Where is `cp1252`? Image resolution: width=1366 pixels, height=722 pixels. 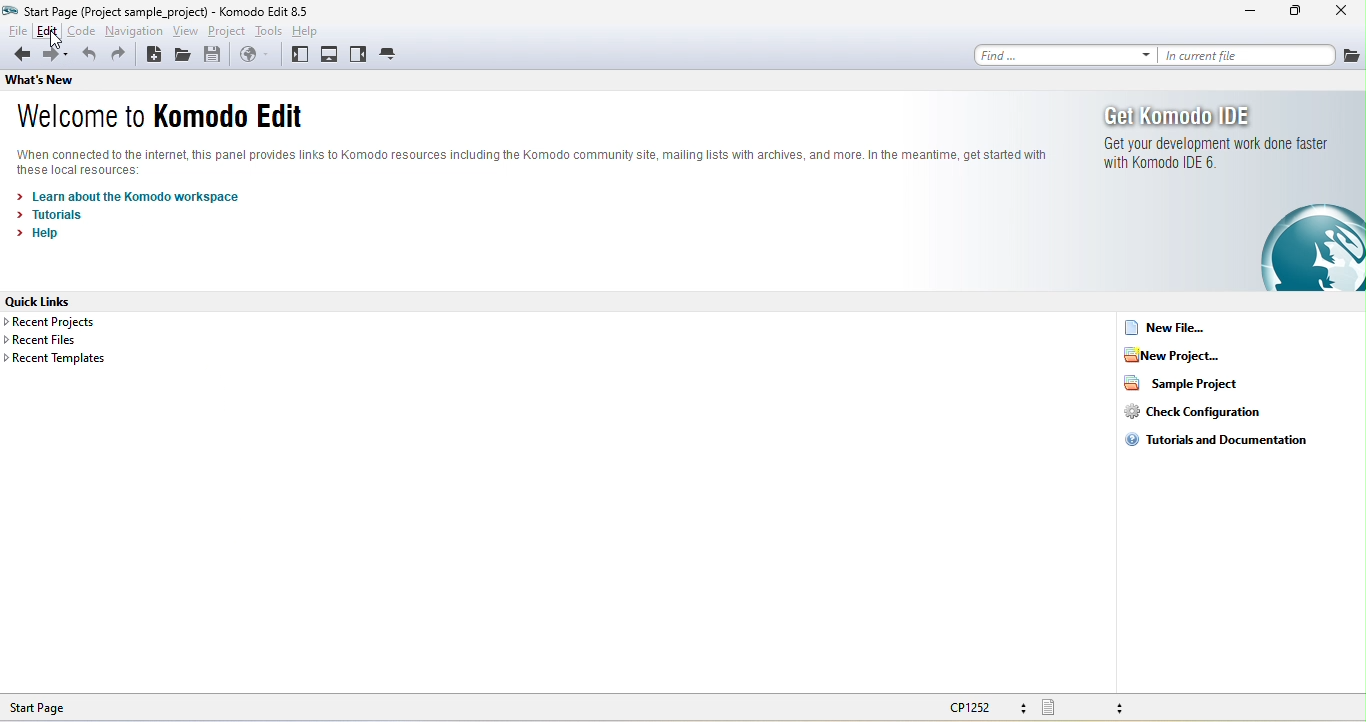
cp1252 is located at coordinates (984, 707).